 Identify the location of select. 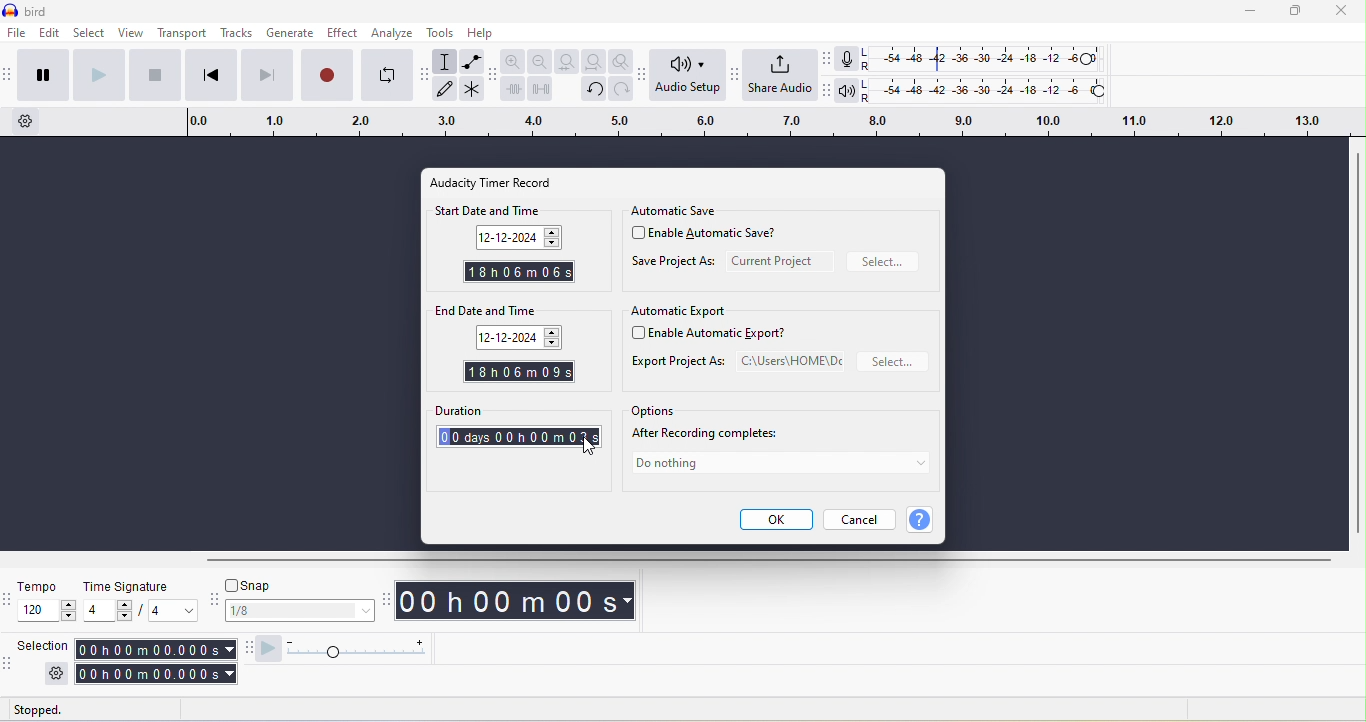
(894, 363).